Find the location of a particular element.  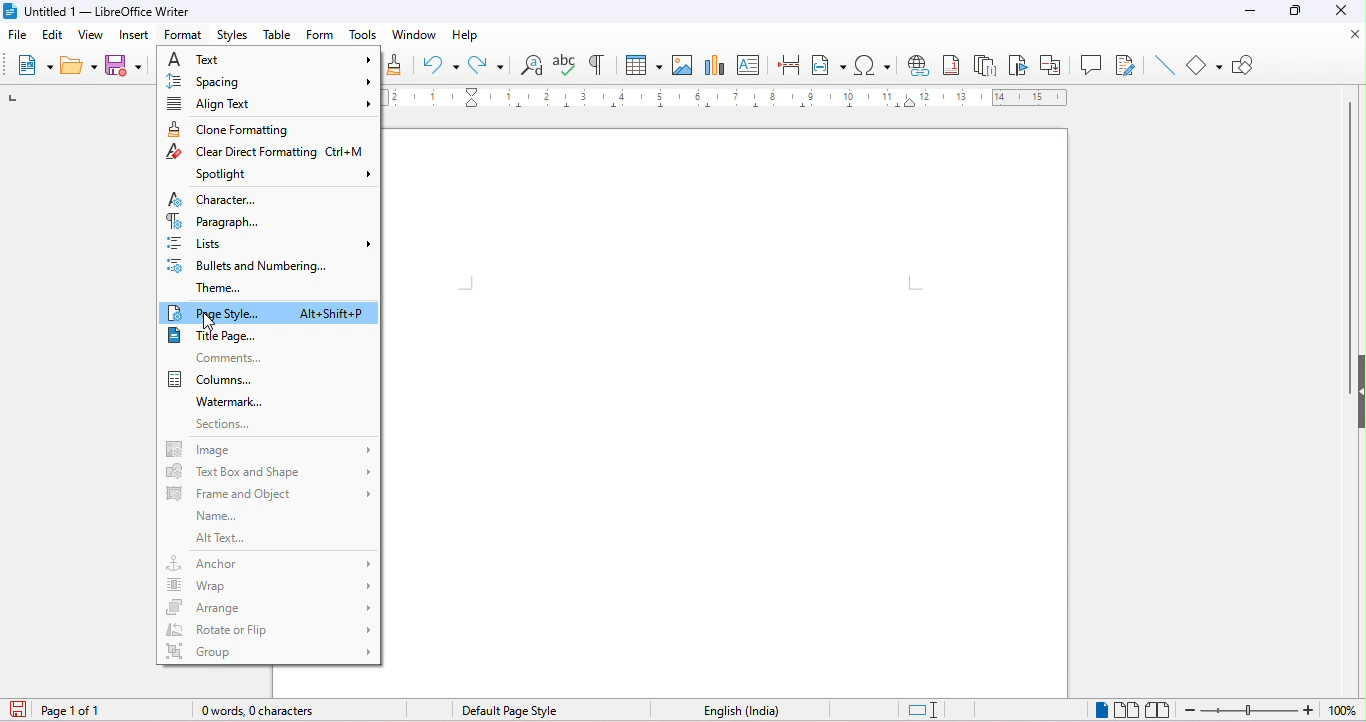

close is located at coordinates (1346, 11).